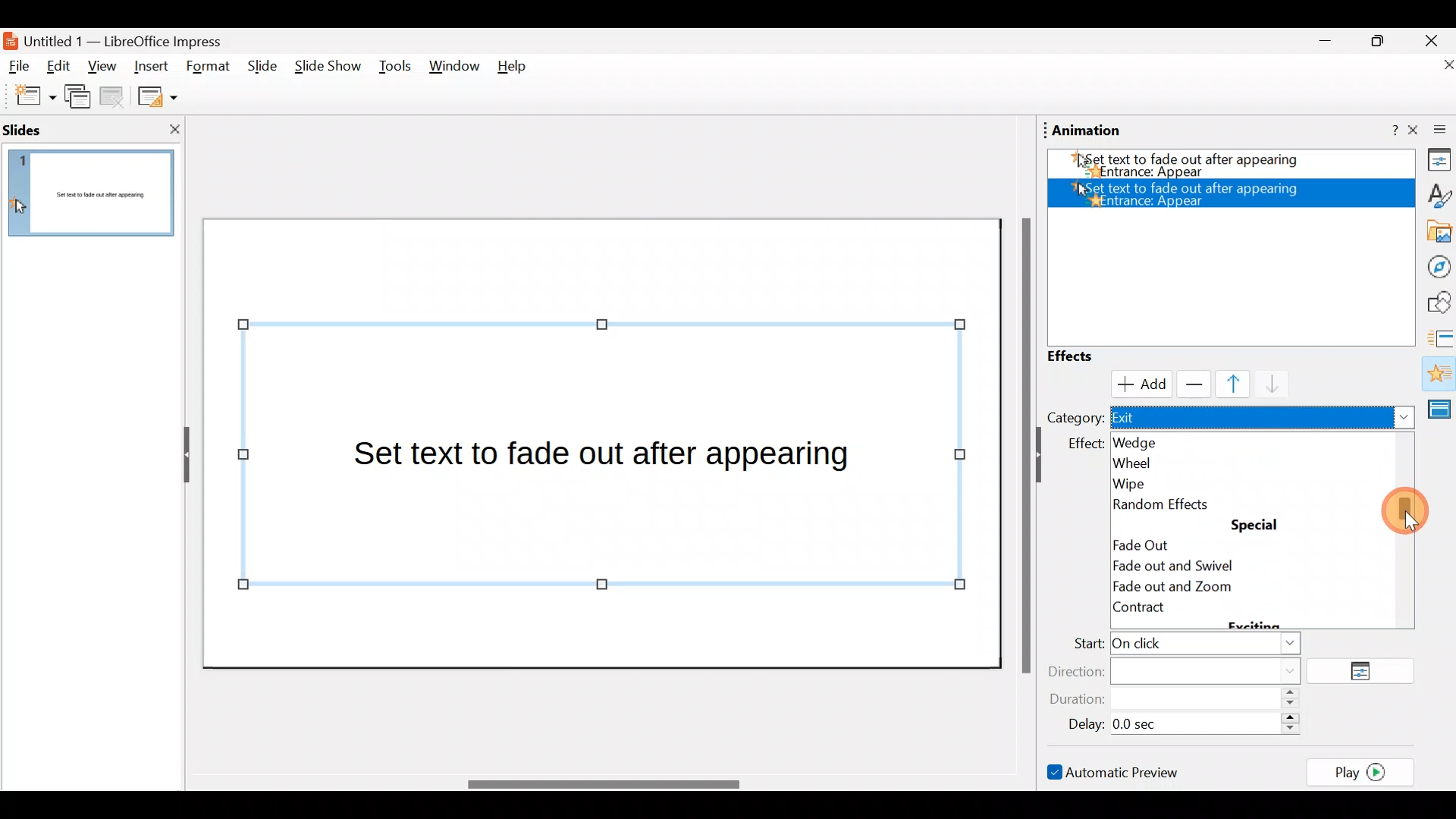 The width and height of the screenshot is (1456, 819). I want to click on Start, so click(1182, 645).